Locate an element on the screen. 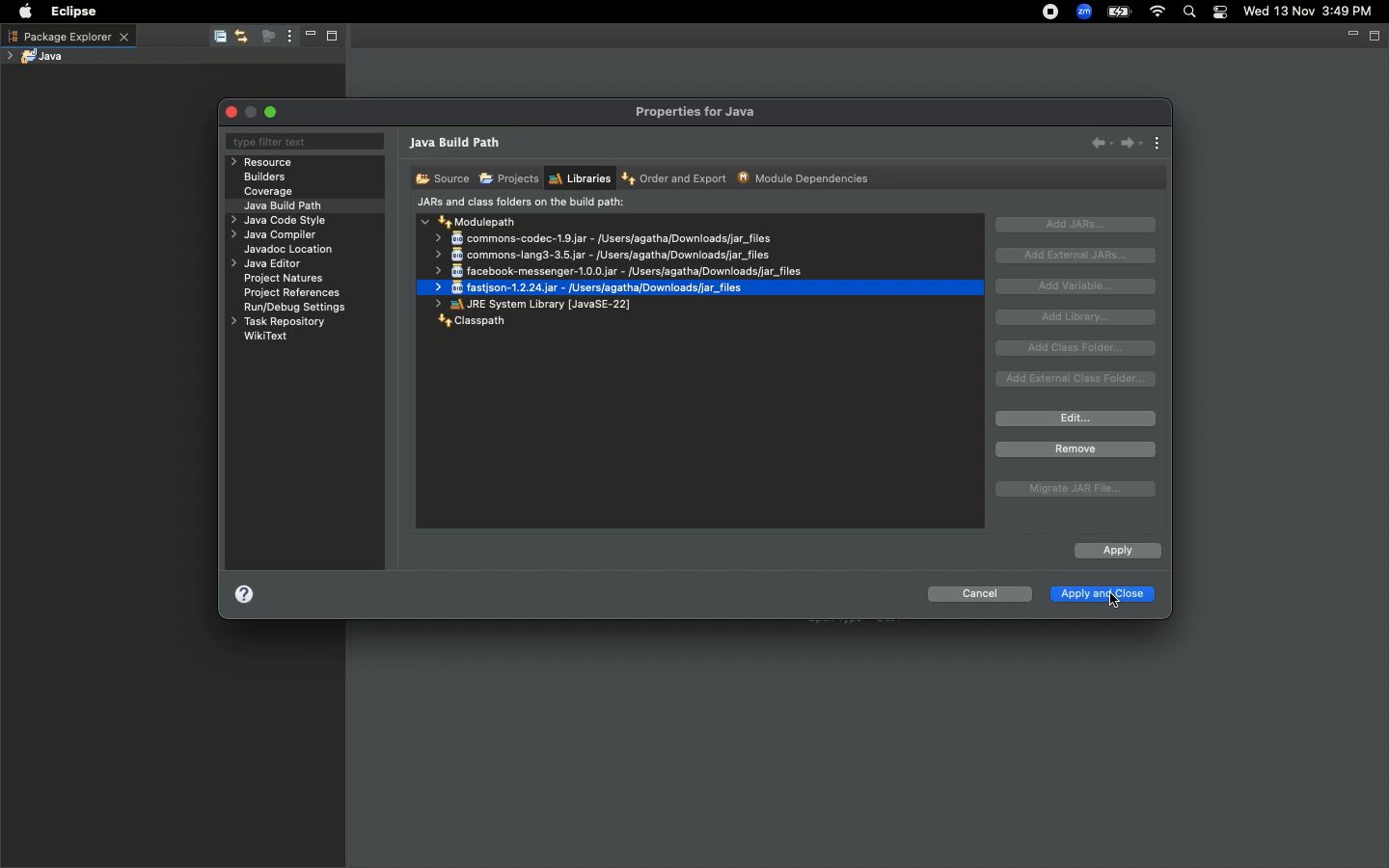 This screenshot has height=868, width=1389. Libraries is located at coordinates (579, 178).